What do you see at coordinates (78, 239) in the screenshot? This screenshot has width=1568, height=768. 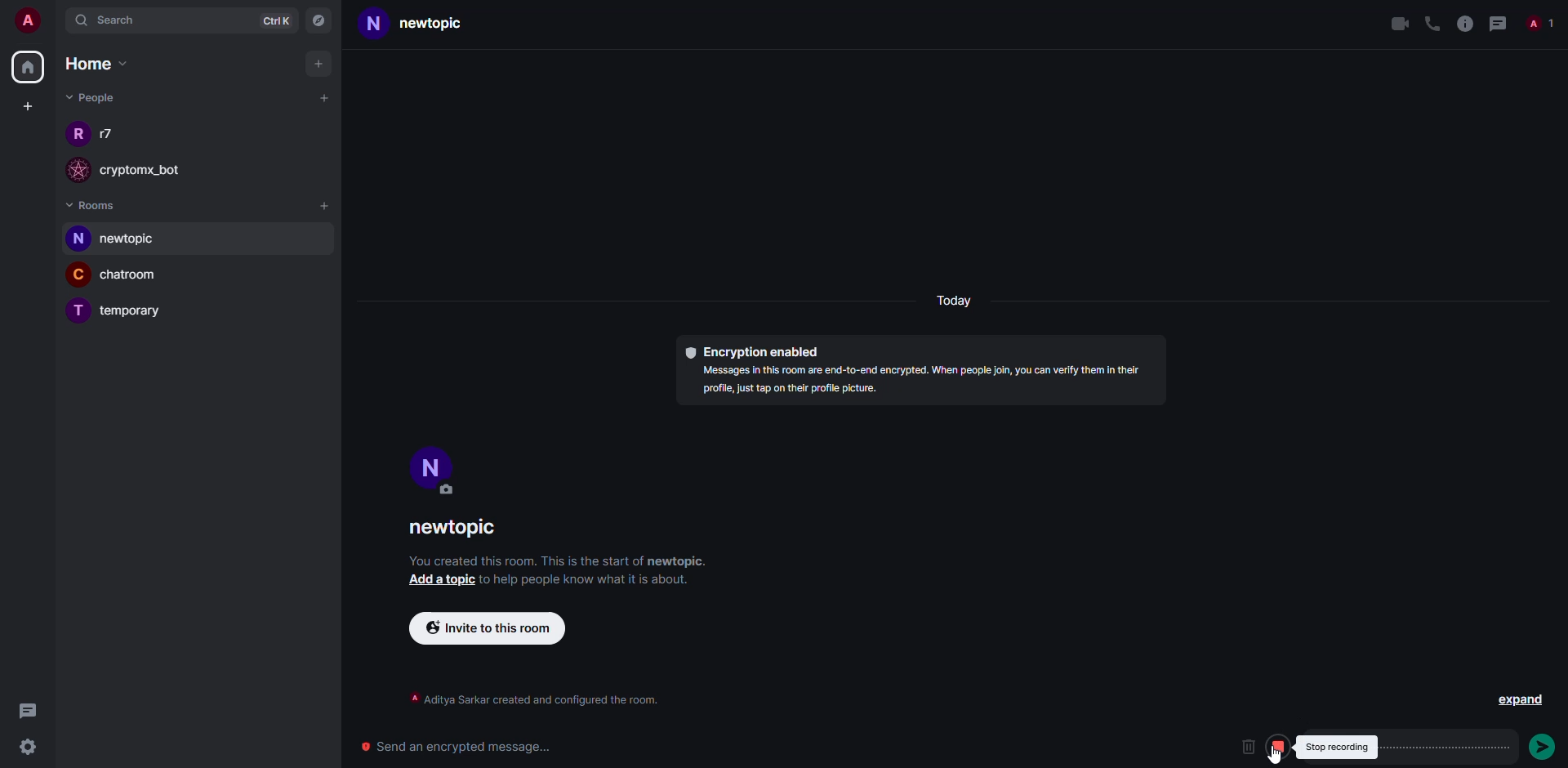 I see `N` at bounding box center [78, 239].